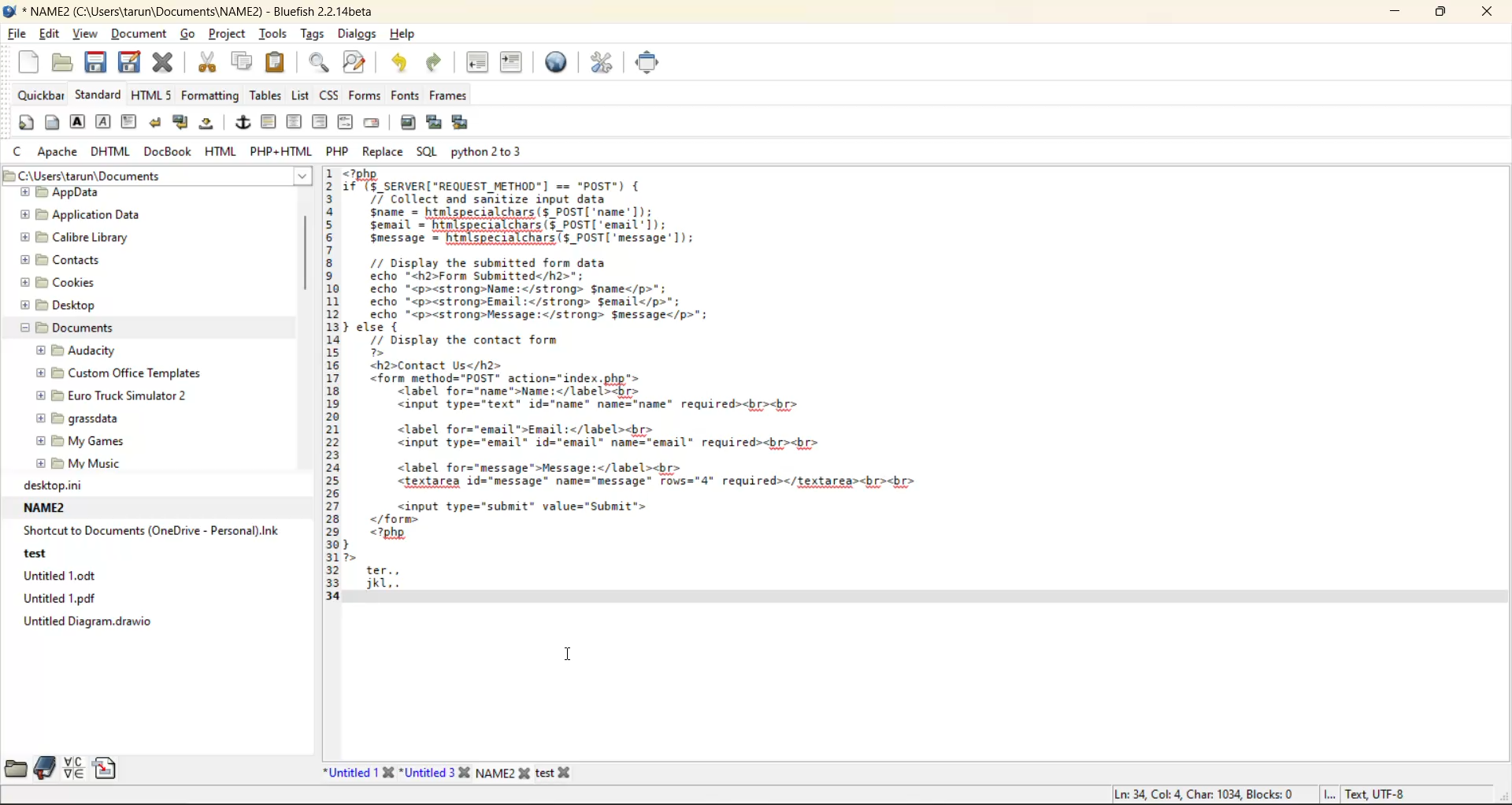 The image size is (1512, 805). Describe the element at coordinates (34, 555) in the screenshot. I see `test` at that location.